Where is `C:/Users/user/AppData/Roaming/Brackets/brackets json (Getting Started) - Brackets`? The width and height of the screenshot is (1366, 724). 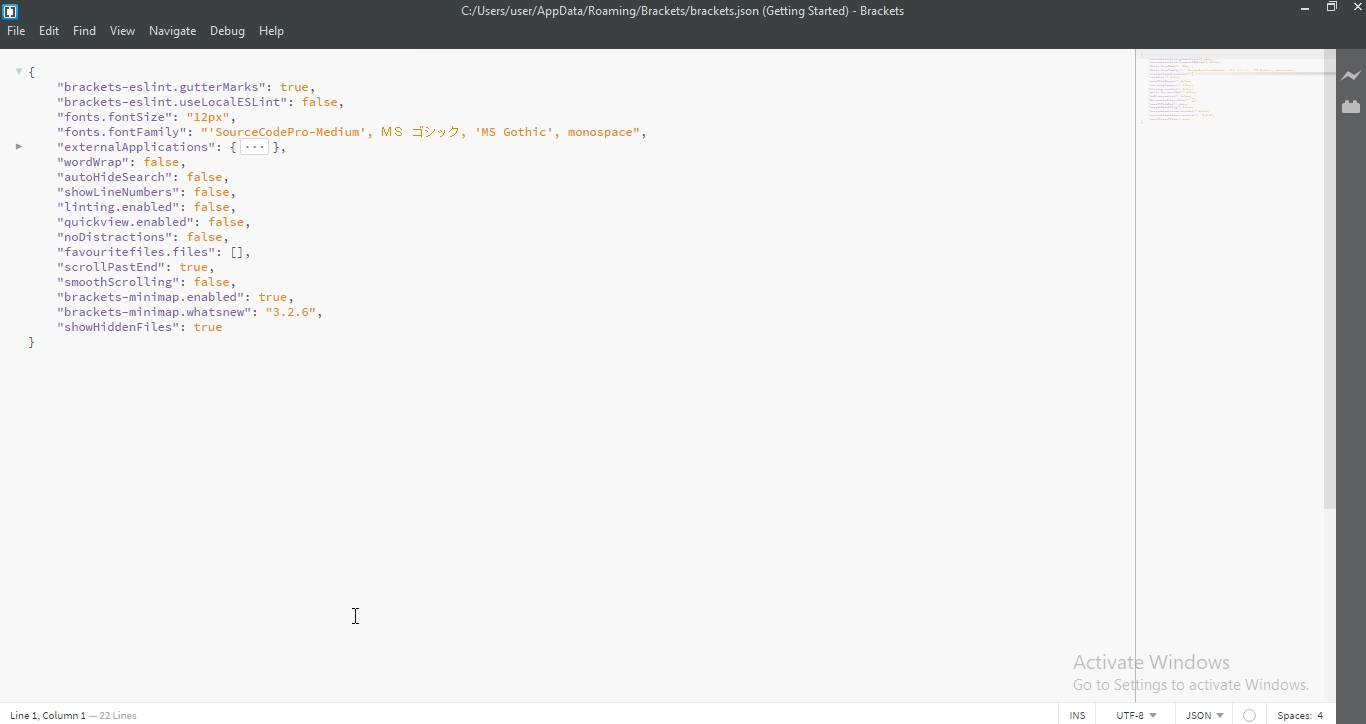
C:/Users/user/AppData/Roaming/Brackets/brackets json (Getting Started) - Brackets is located at coordinates (689, 12).